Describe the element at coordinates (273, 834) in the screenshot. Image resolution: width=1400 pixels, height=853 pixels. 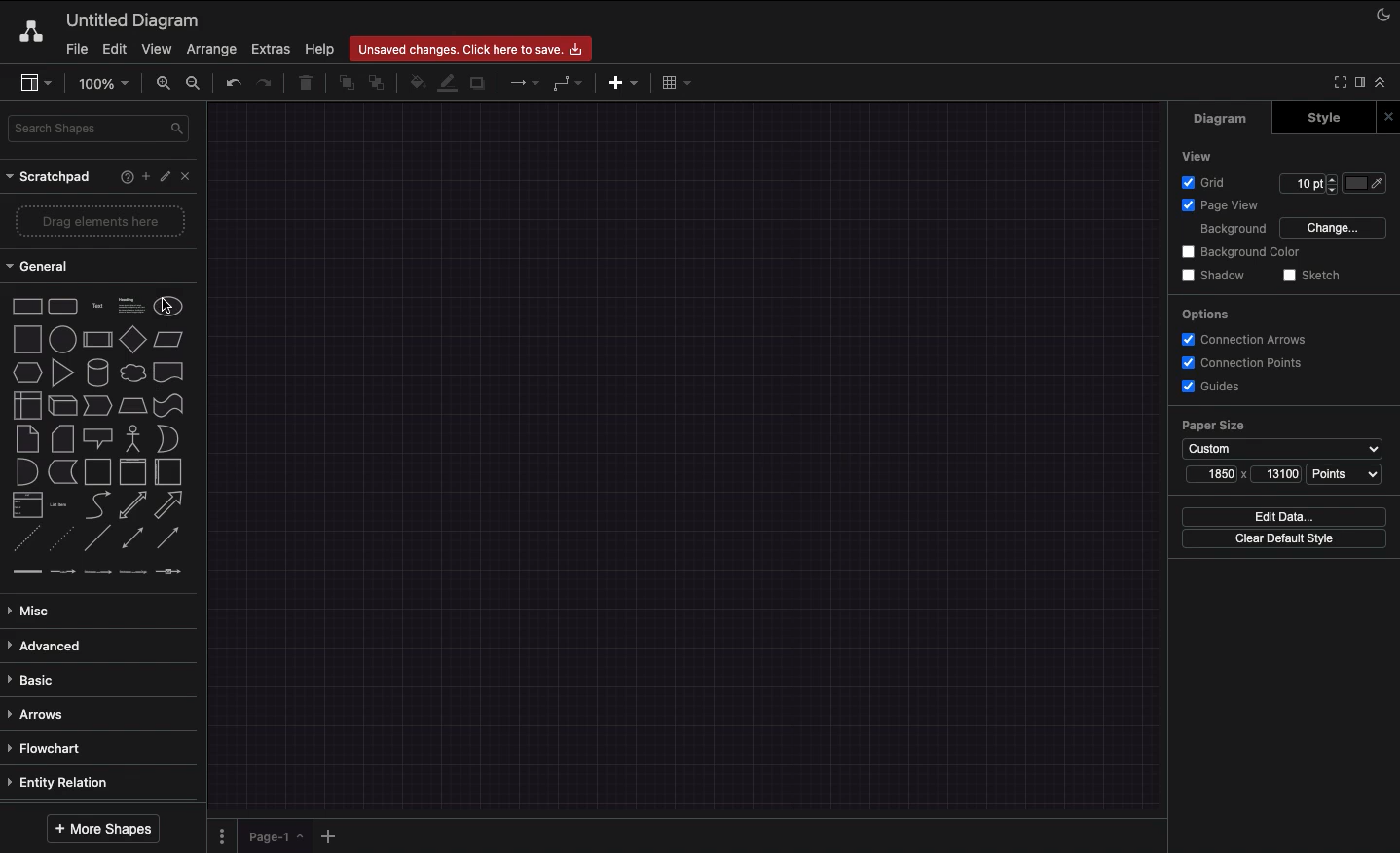
I see `Page 1` at that location.